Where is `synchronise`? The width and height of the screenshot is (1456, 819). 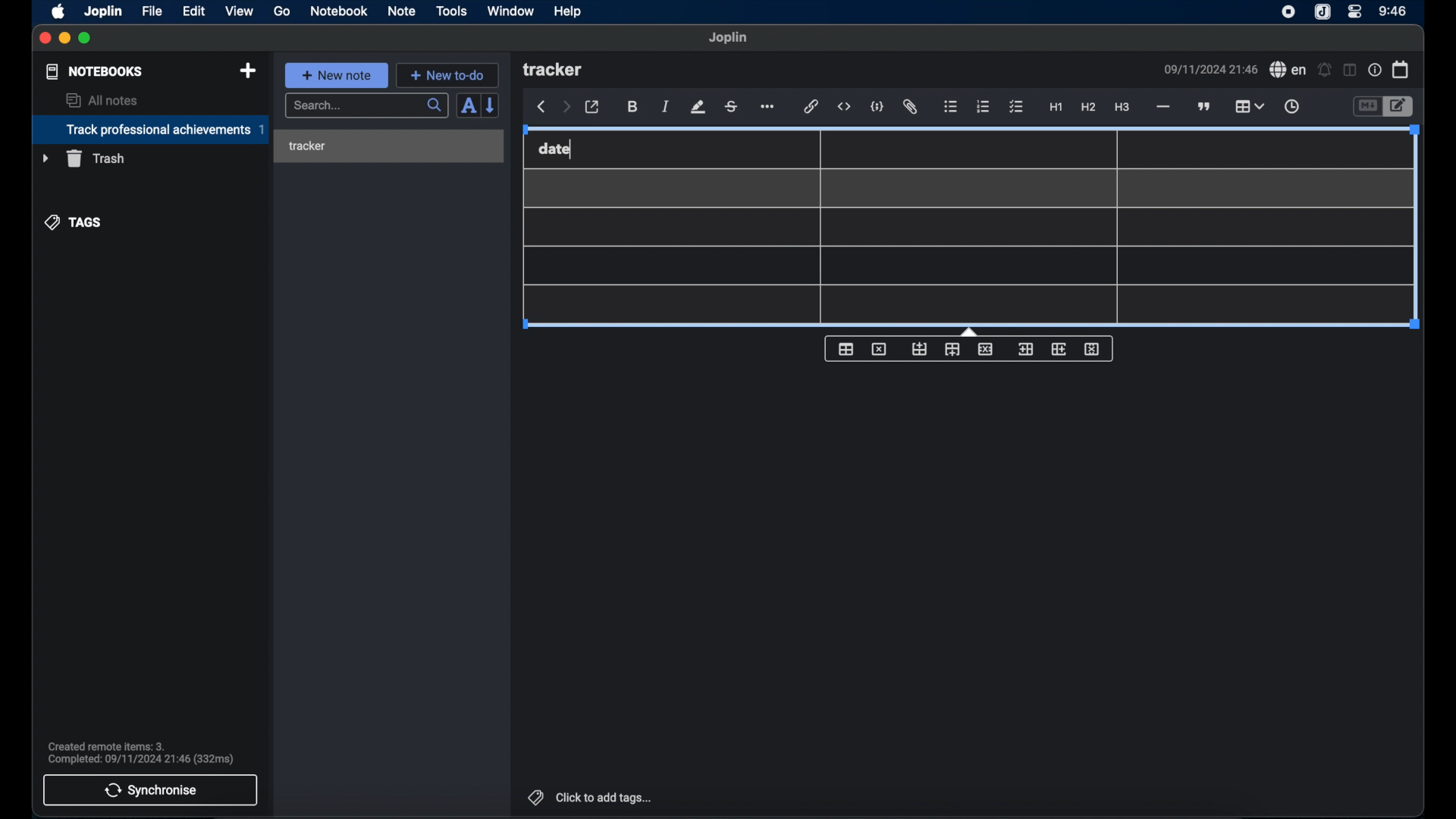 synchronise is located at coordinates (151, 790).